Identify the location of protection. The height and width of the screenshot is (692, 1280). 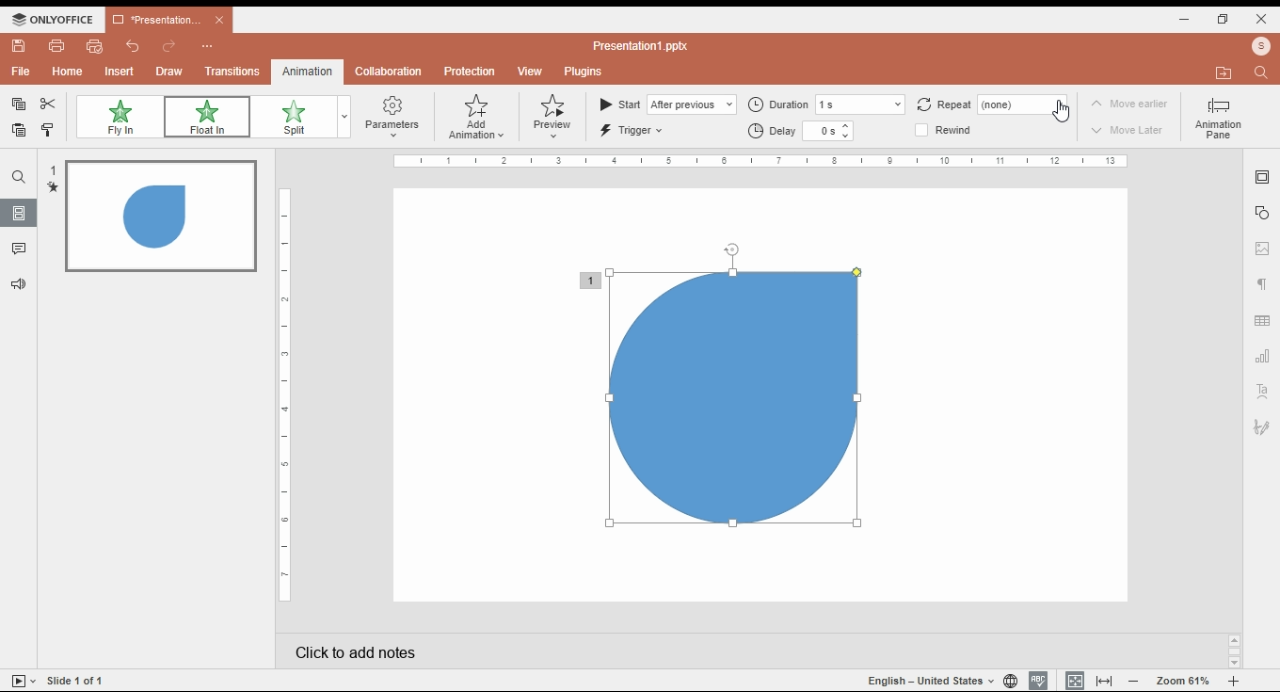
(469, 71).